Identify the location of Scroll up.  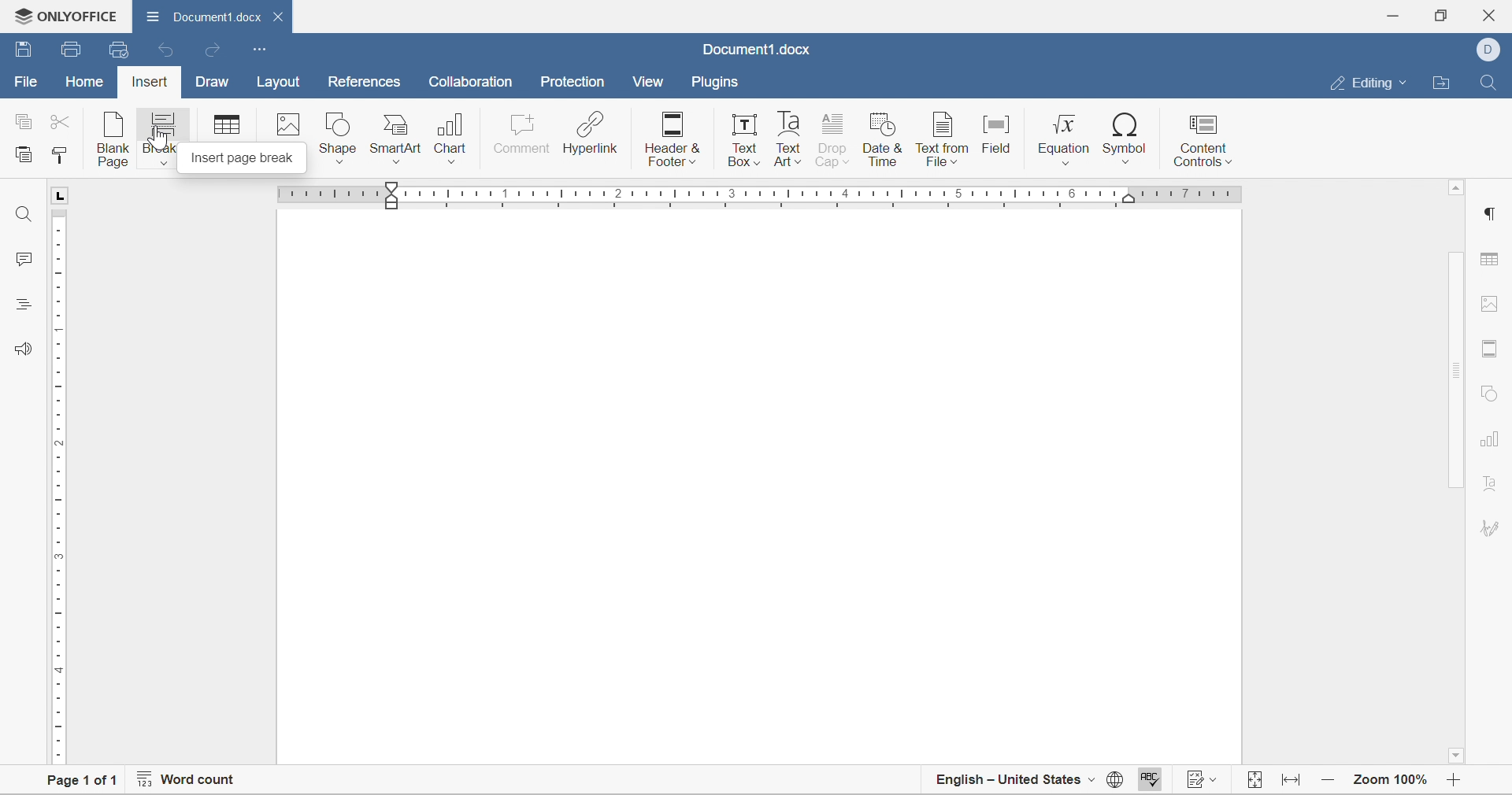
(1457, 190).